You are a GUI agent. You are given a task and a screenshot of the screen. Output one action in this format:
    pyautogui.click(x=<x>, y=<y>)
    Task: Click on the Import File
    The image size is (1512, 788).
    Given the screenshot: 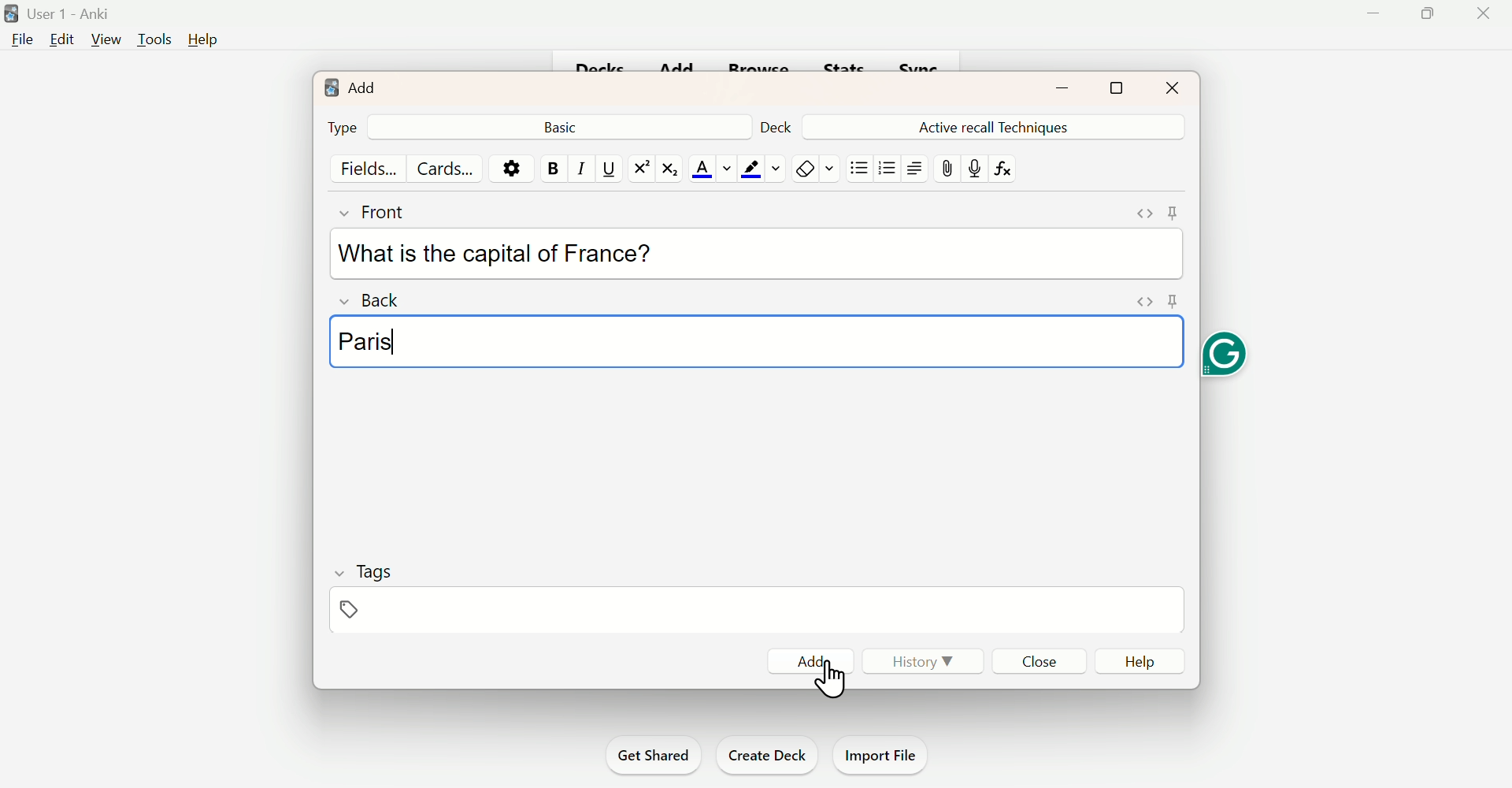 What is the action you would take?
    pyautogui.click(x=884, y=755)
    